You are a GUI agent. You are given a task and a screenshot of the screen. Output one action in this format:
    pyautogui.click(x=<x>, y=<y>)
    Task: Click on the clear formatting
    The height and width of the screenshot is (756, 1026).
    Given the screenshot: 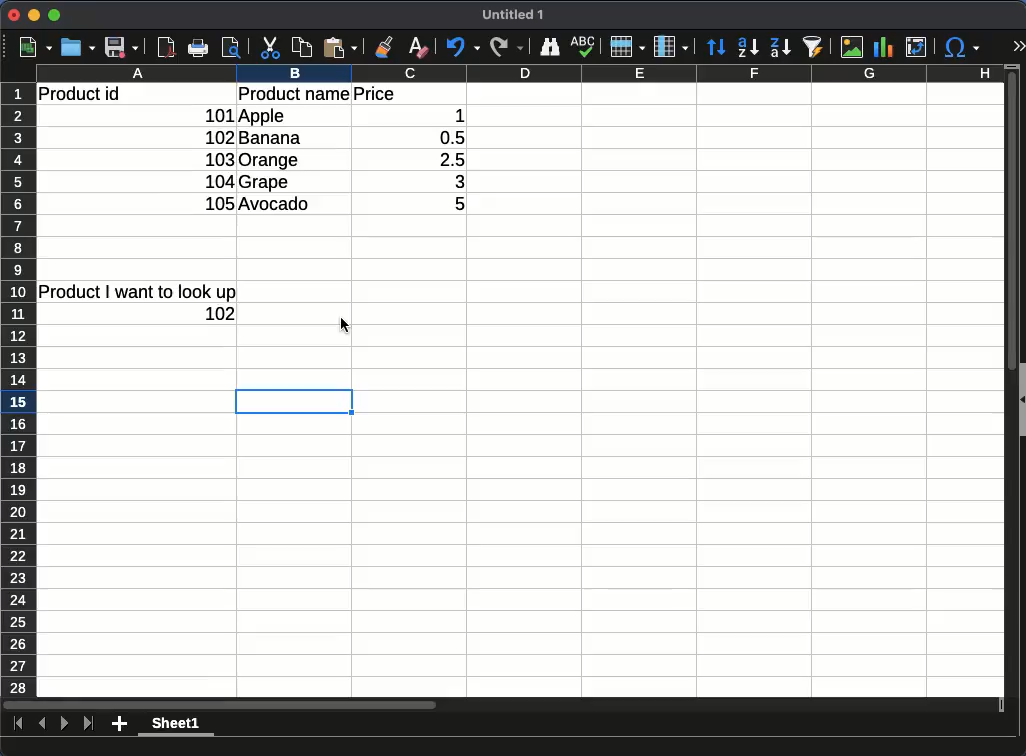 What is the action you would take?
    pyautogui.click(x=420, y=48)
    